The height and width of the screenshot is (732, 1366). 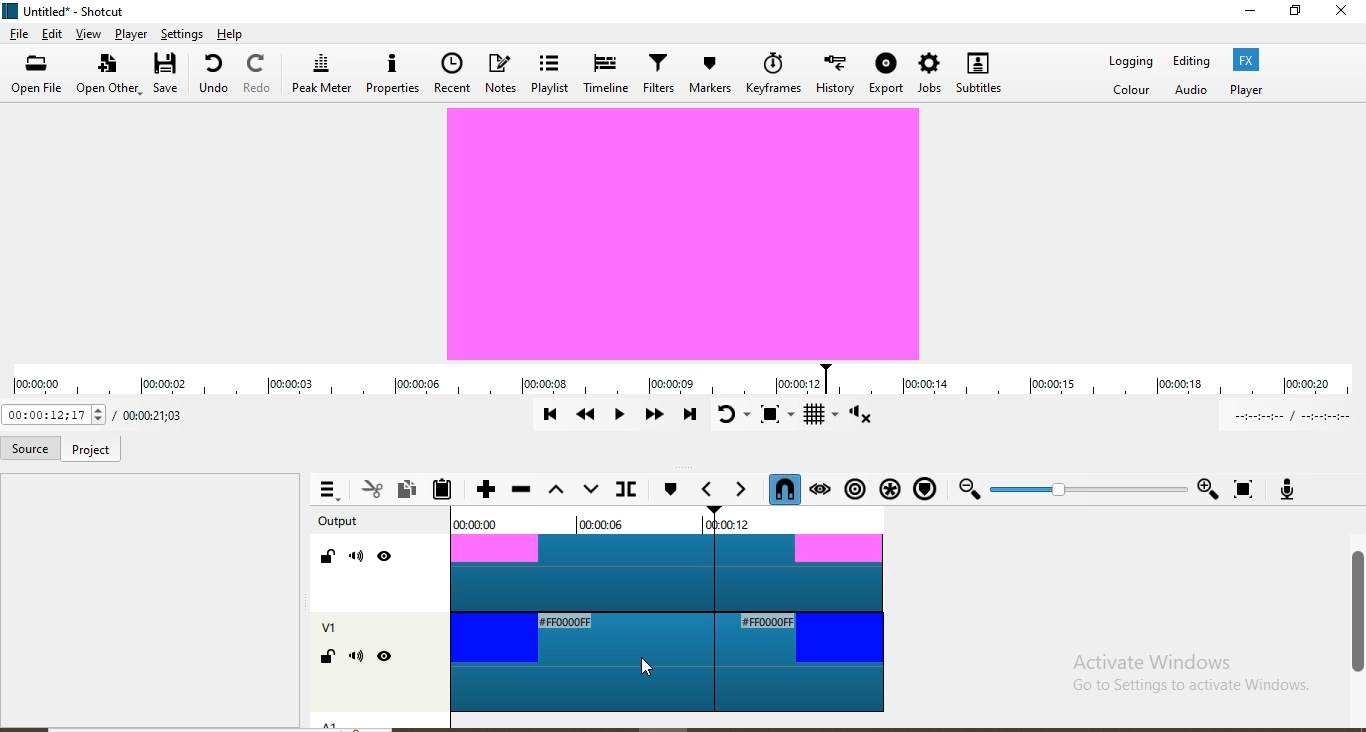 I want to click on Paste , so click(x=443, y=488).